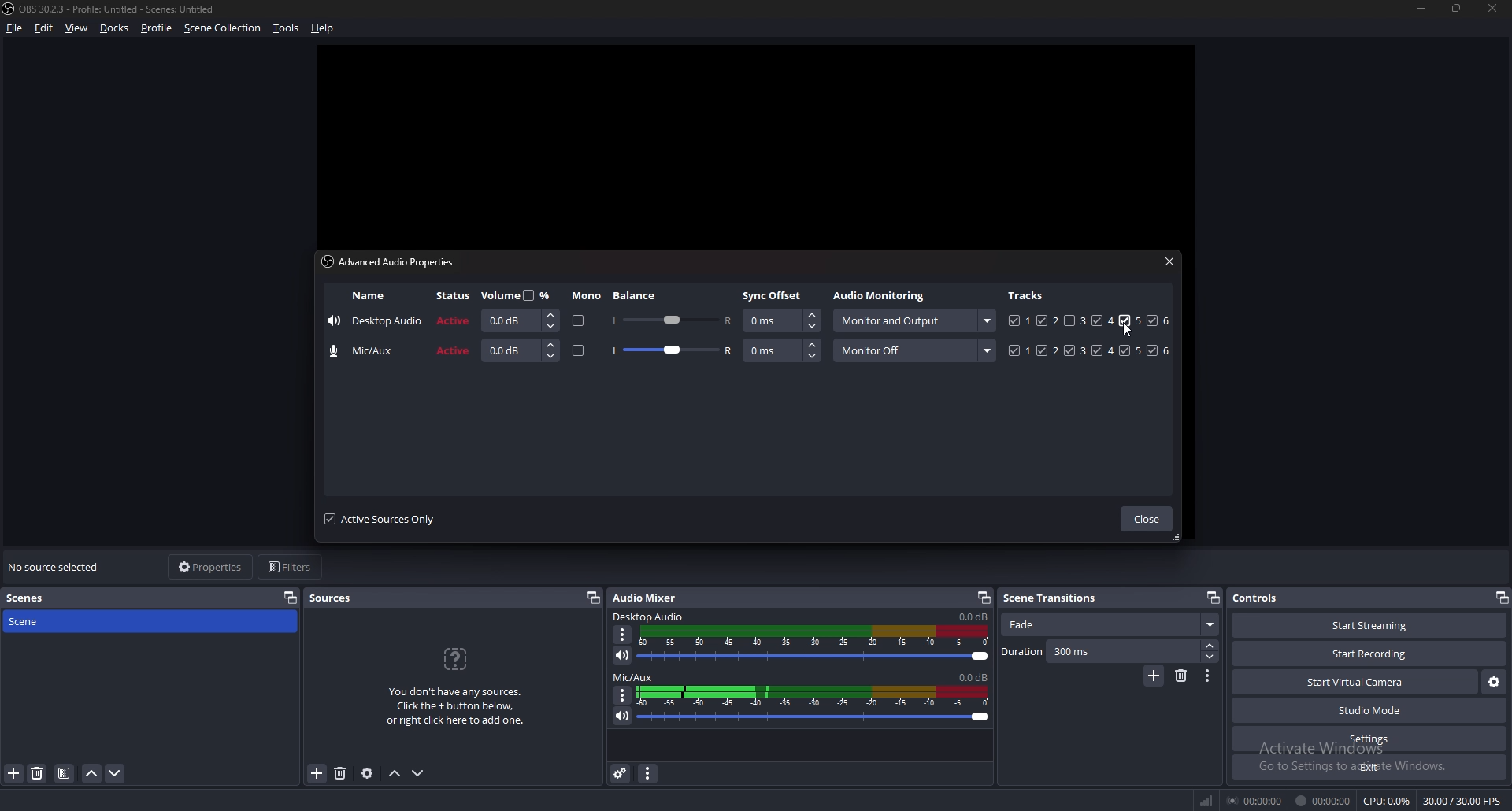  I want to click on sync offset, so click(774, 295).